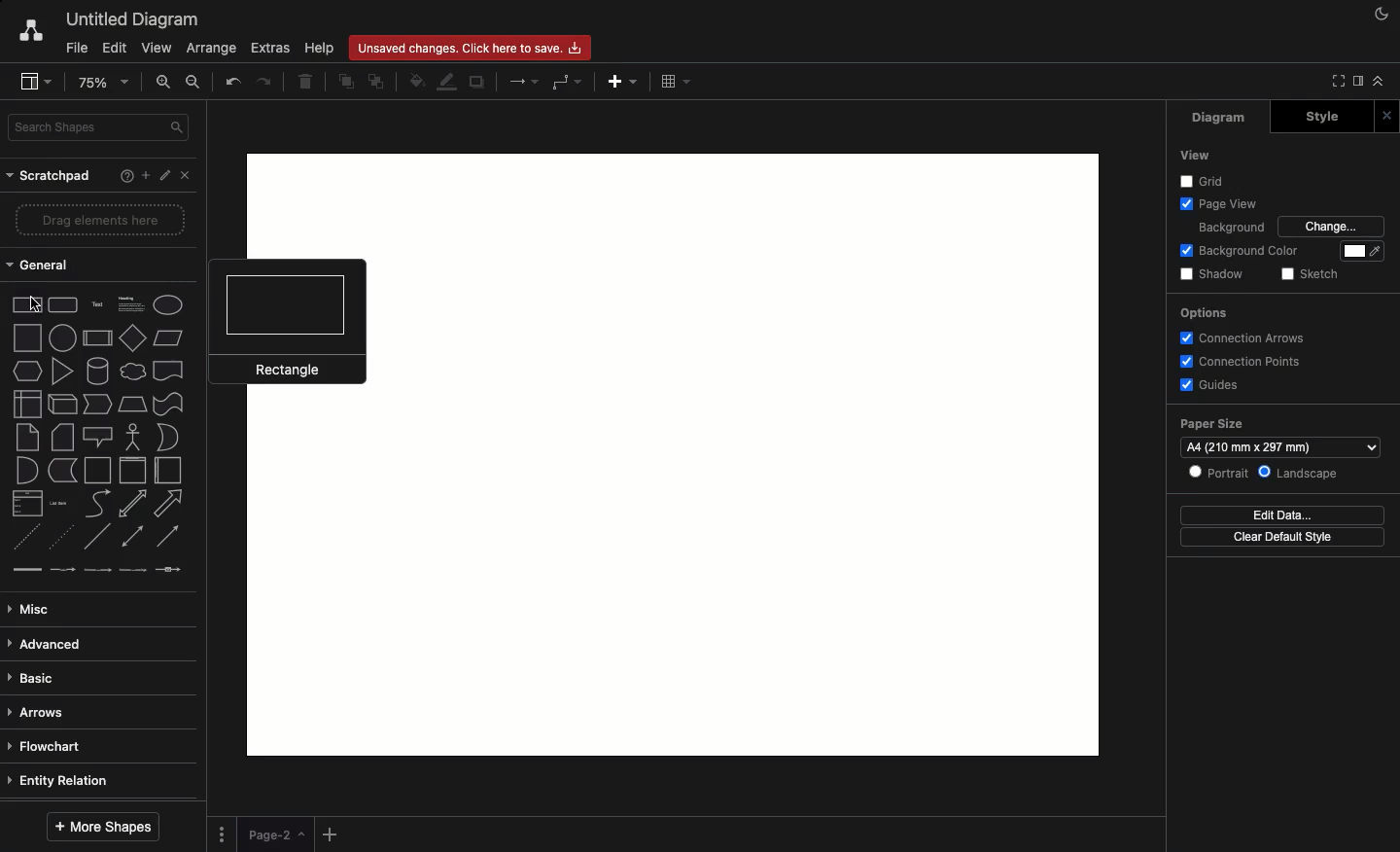 Image resolution: width=1400 pixels, height=852 pixels. What do you see at coordinates (168, 371) in the screenshot?
I see `document ` at bounding box center [168, 371].